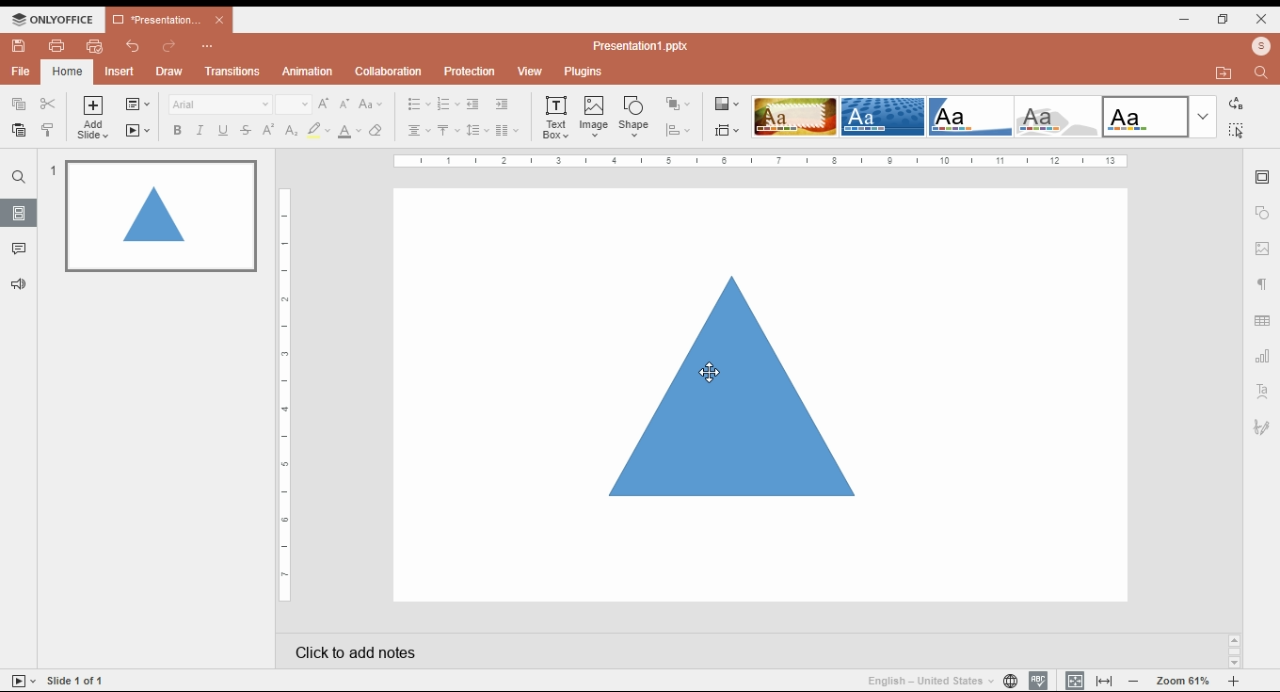  I want to click on font size, so click(294, 105).